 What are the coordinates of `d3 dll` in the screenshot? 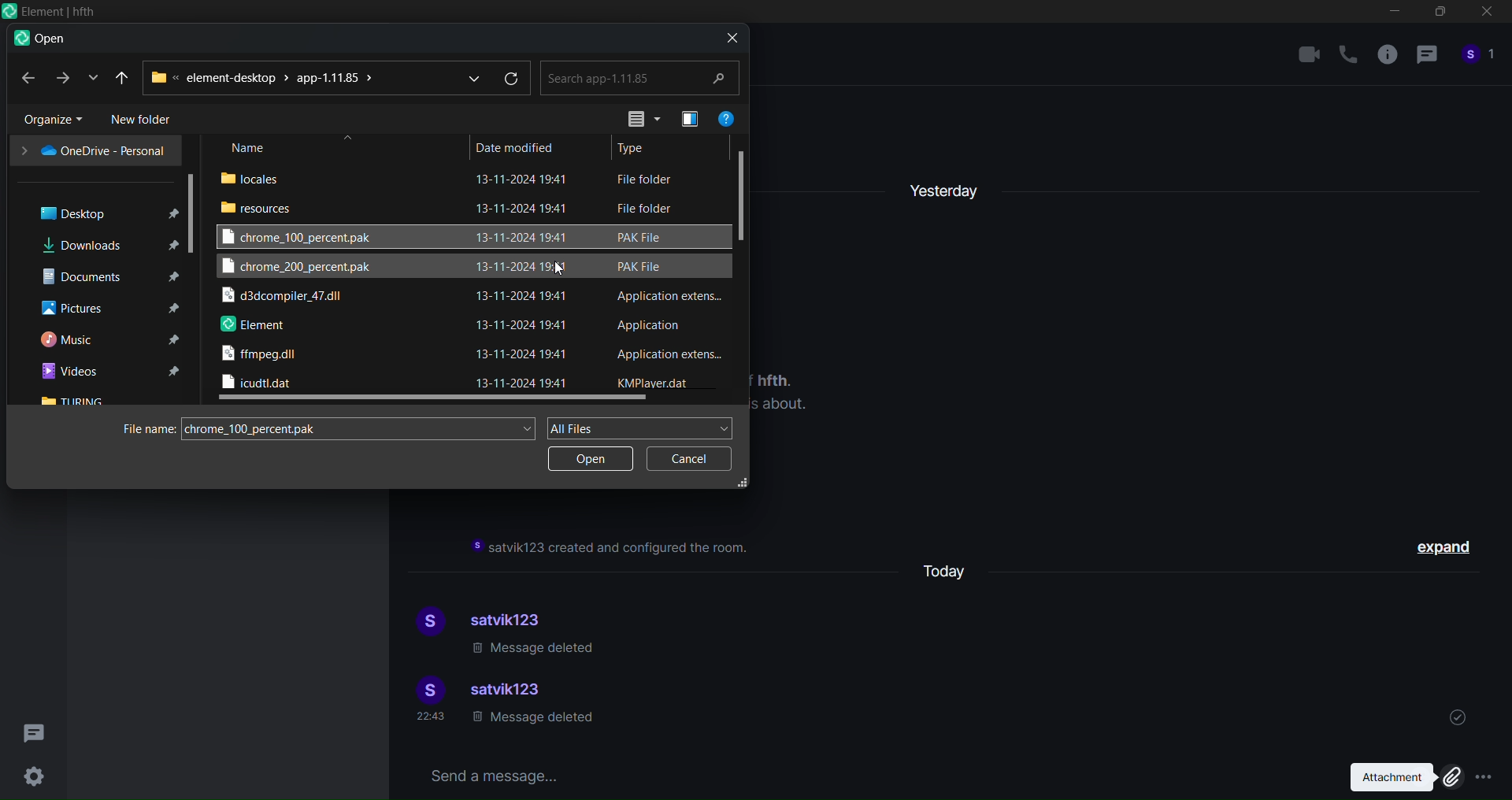 It's located at (286, 298).